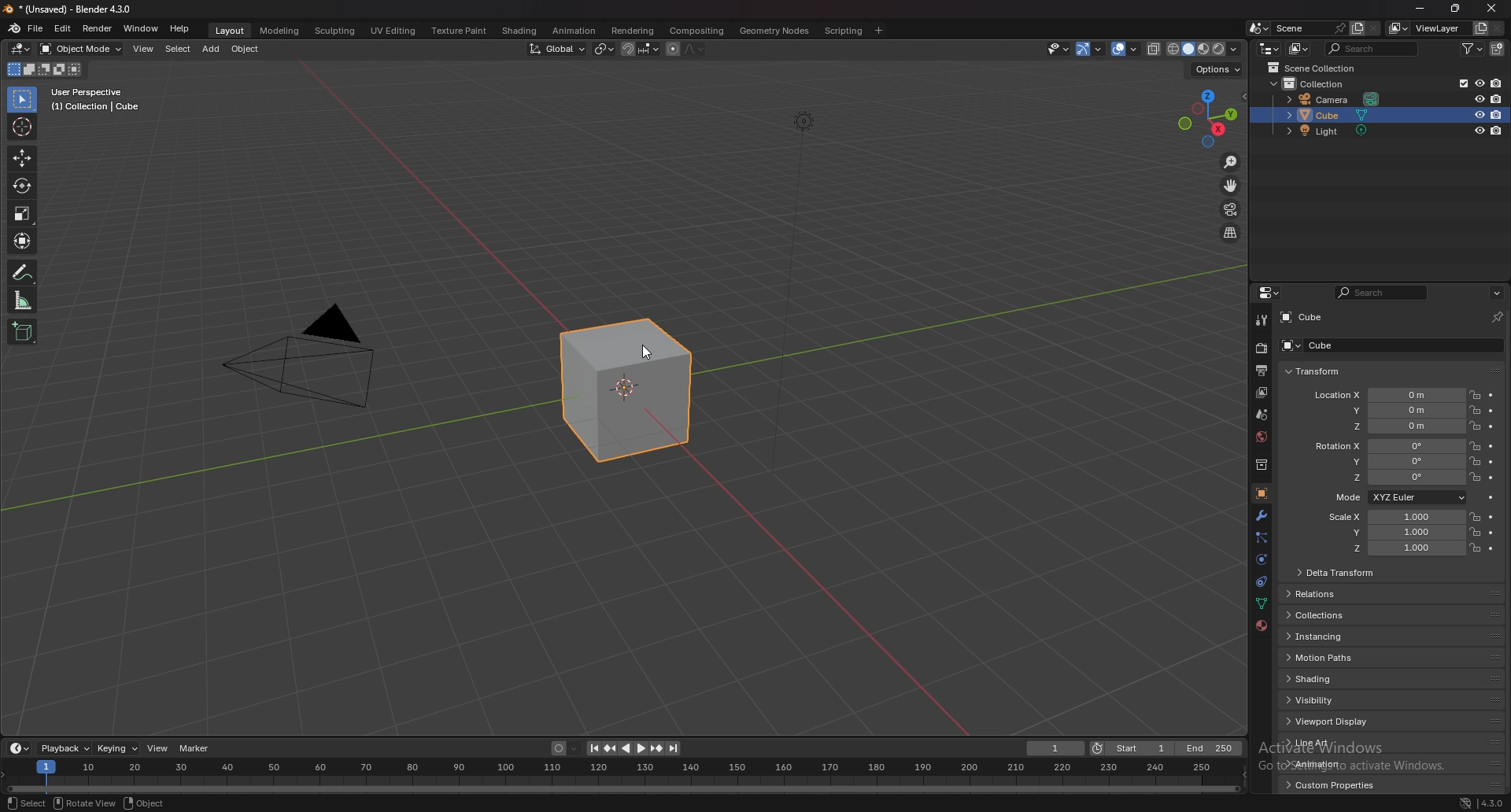  What do you see at coordinates (1232, 186) in the screenshot?
I see `move` at bounding box center [1232, 186].